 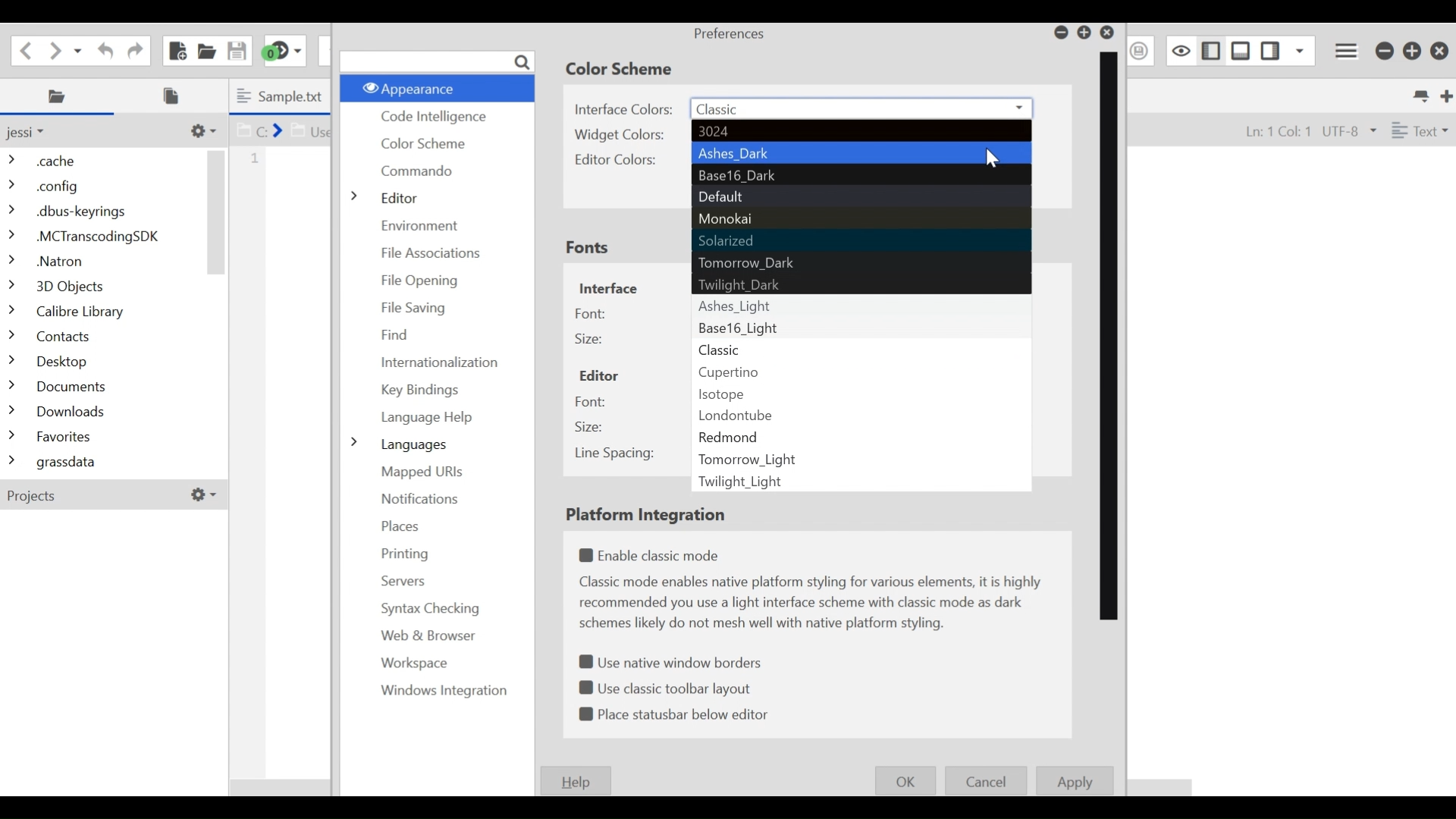 What do you see at coordinates (859, 132) in the screenshot?
I see `3024` at bounding box center [859, 132].